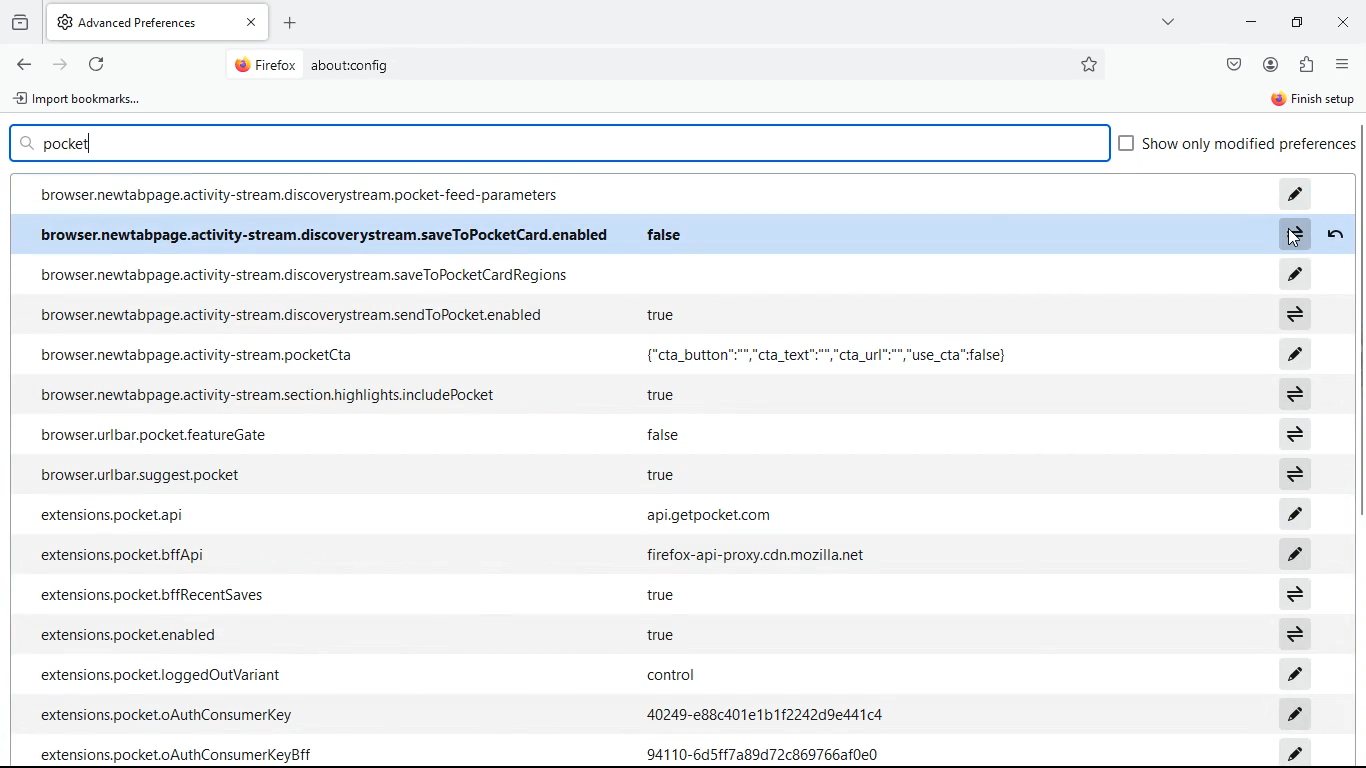 The width and height of the screenshot is (1366, 768). What do you see at coordinates (1297, 555) in the screenshot?
I see `edit` at bounding box center [1297, 555].